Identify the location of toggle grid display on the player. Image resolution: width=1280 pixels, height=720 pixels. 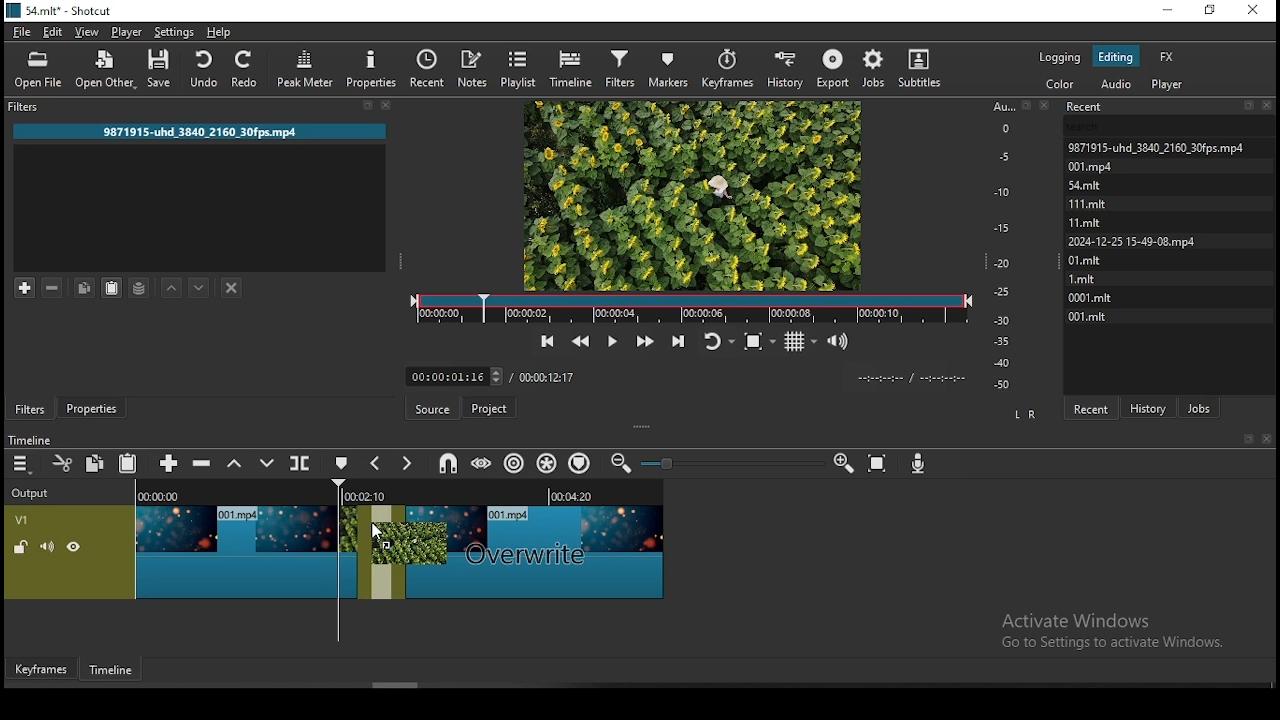
(799, 340).